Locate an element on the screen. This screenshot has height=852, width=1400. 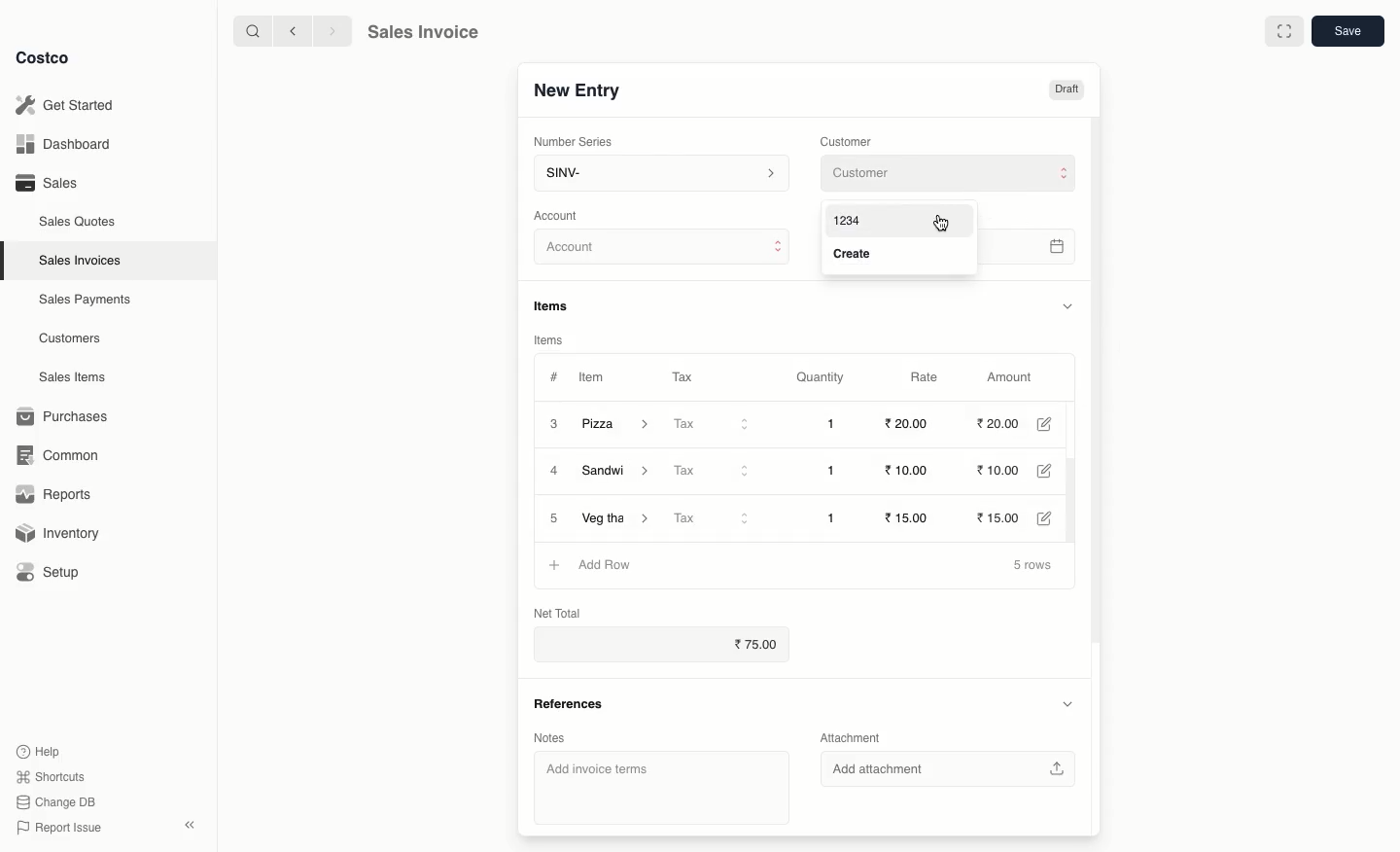
Sales Invoice is located at coordinates (423, 34).